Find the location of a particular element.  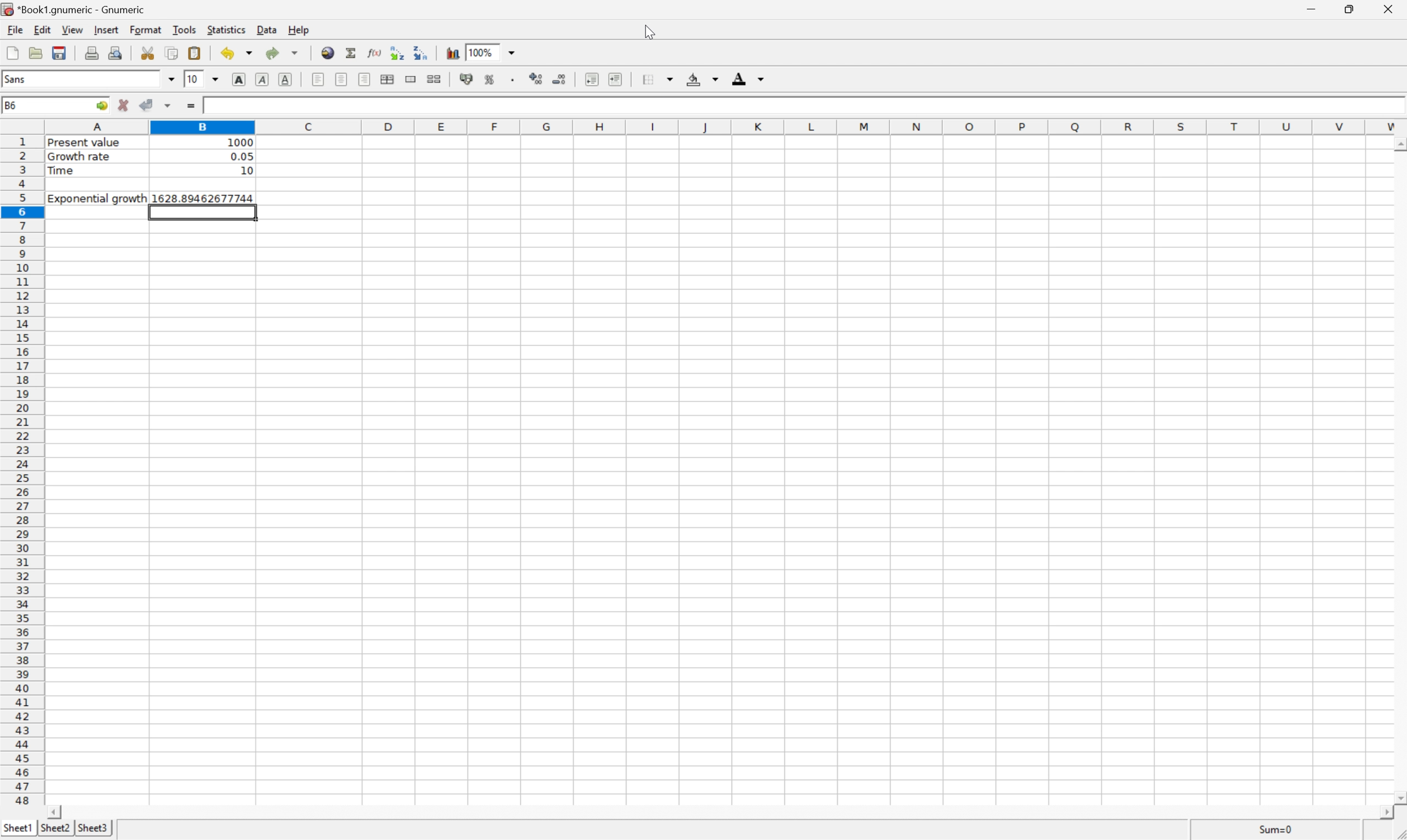

Drop Down is located at coordinates (171, 80).